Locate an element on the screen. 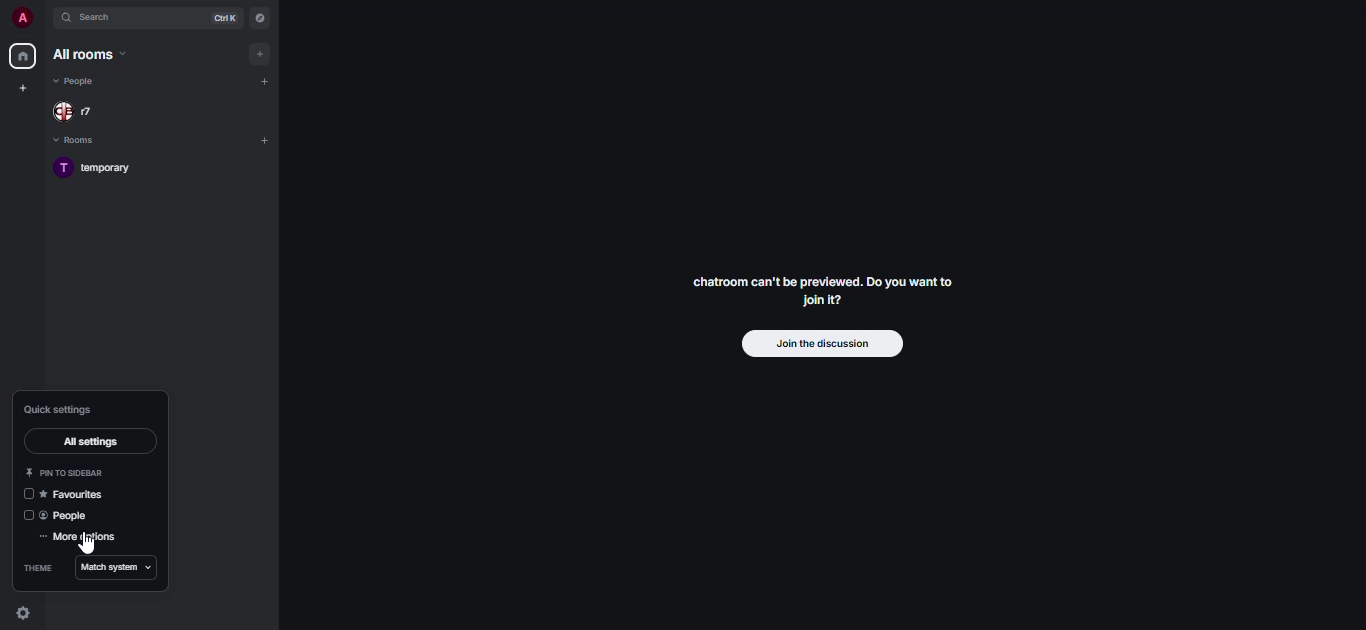 This screenshot has width=1366, height=630. add is located at coordinates (266, 140).